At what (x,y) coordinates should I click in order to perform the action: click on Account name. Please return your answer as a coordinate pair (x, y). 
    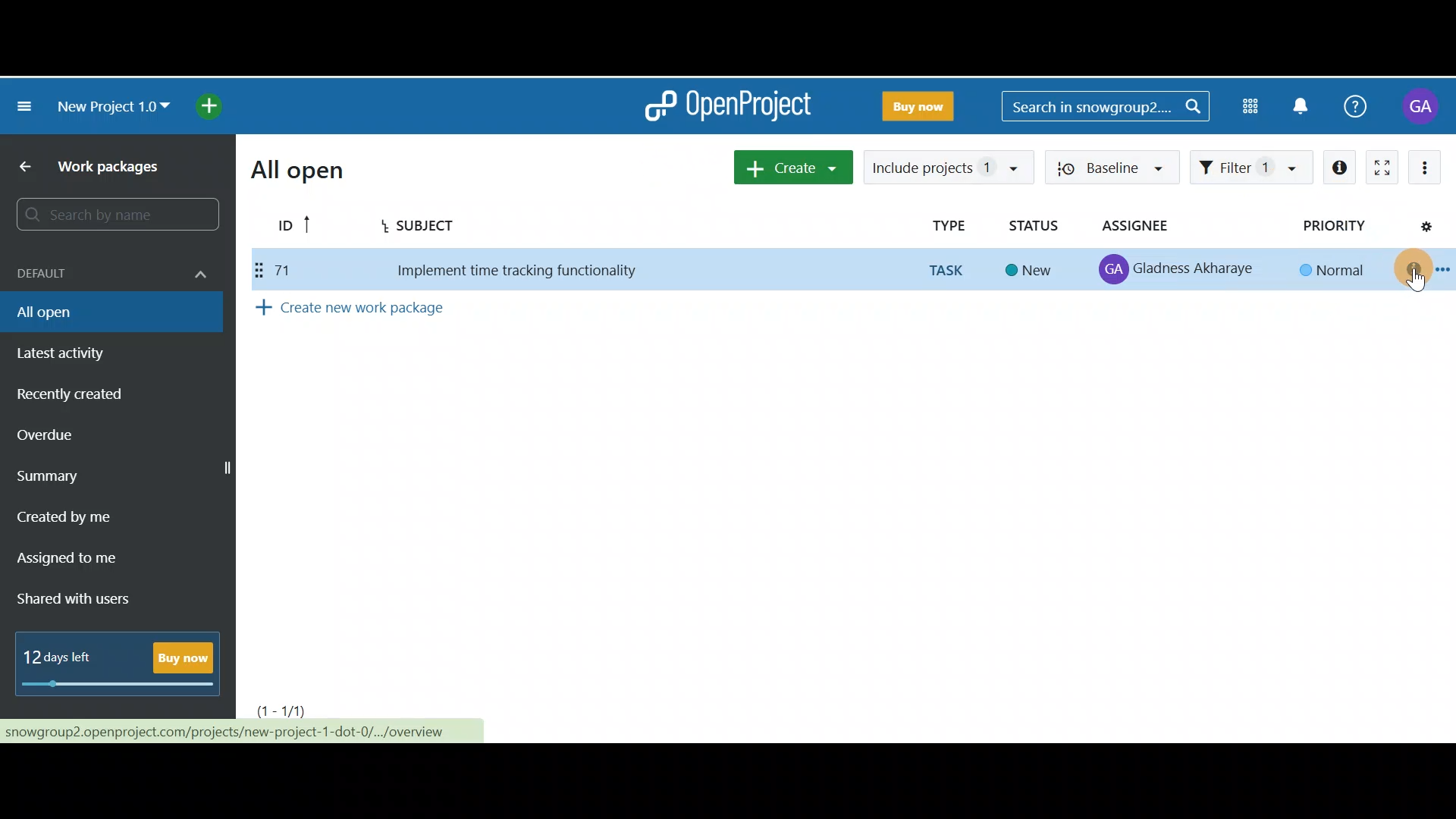
    Looking at the image, I should click on (1420, 107).